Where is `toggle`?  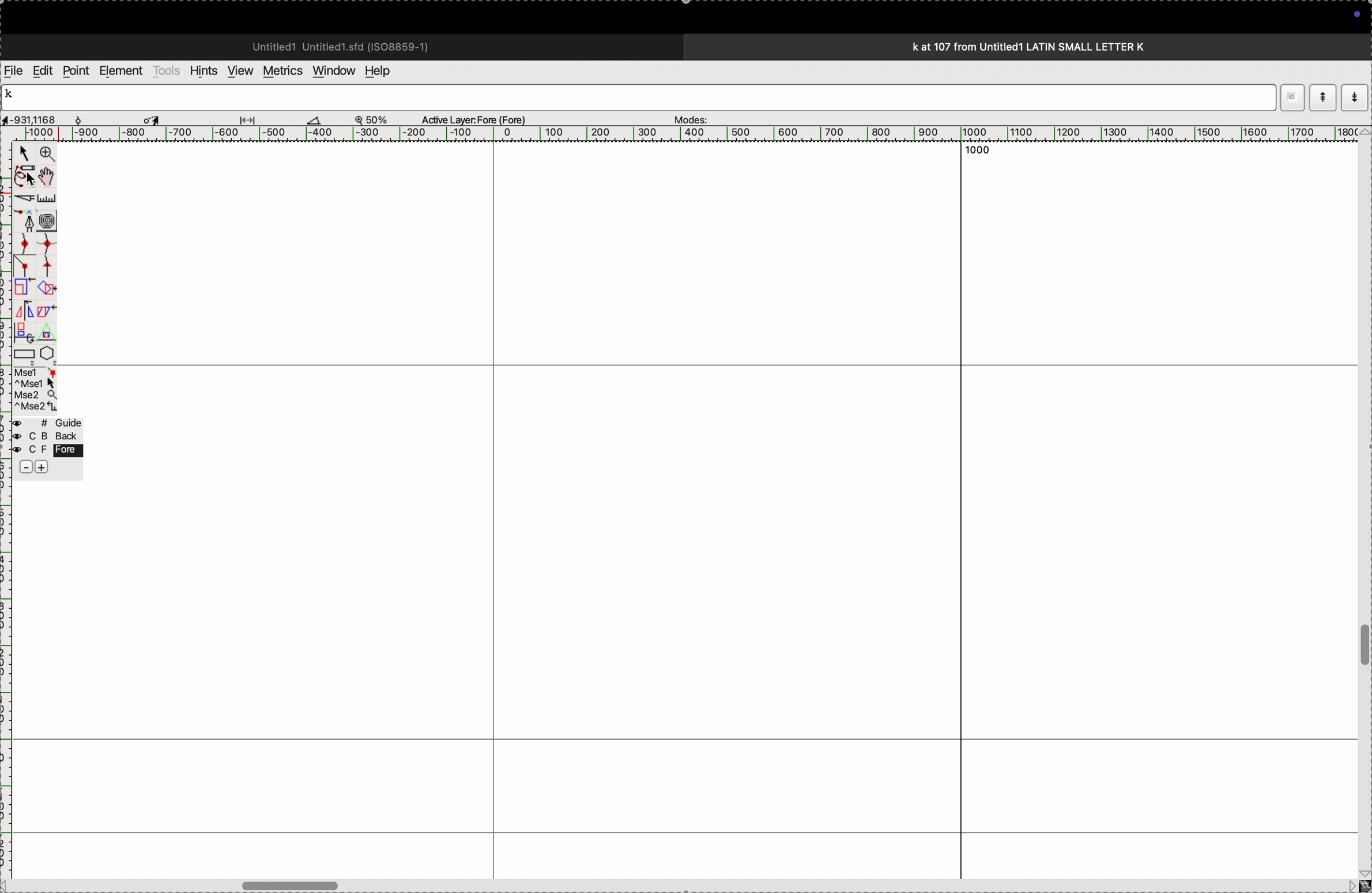 toggle is located at coordinates (295, 883).